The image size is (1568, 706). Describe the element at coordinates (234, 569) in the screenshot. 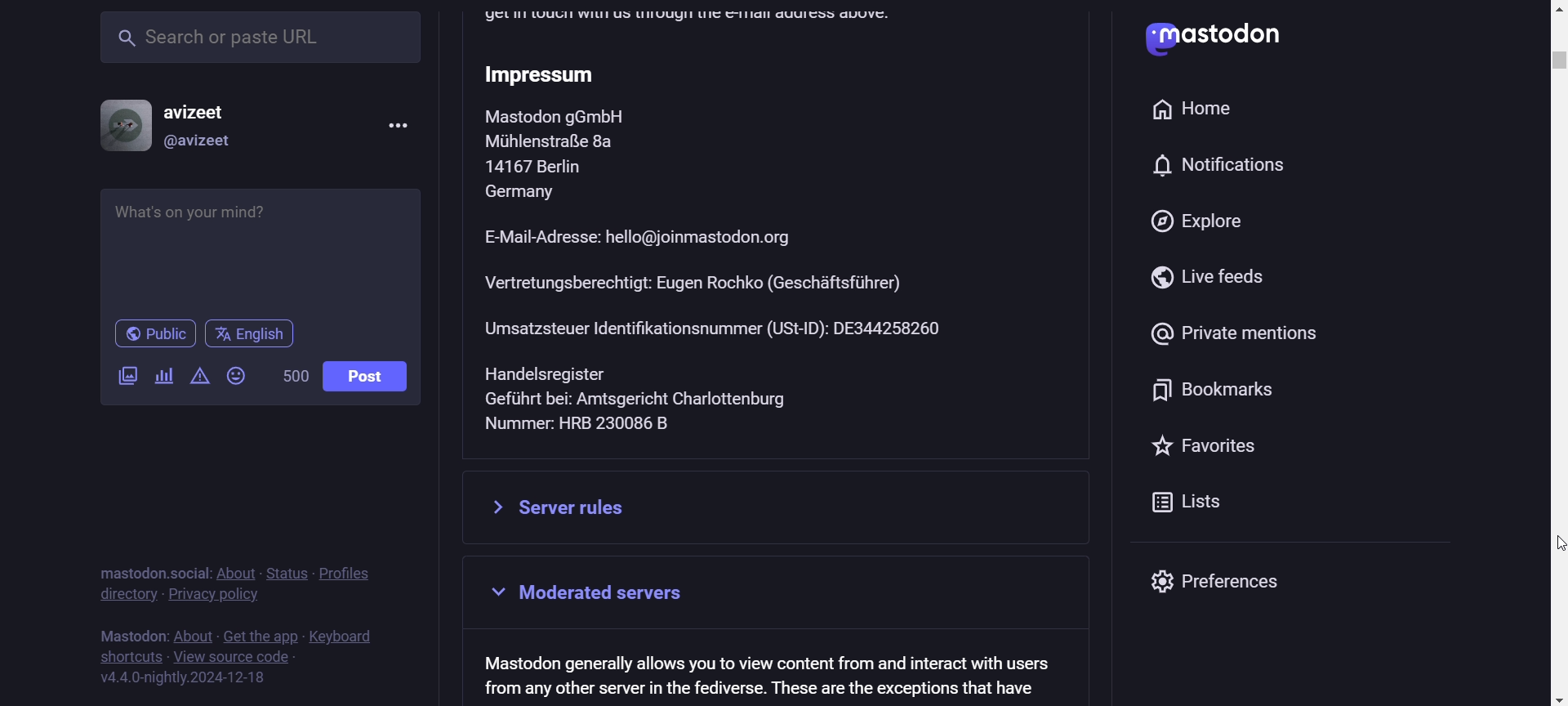

I see `about` at that location.